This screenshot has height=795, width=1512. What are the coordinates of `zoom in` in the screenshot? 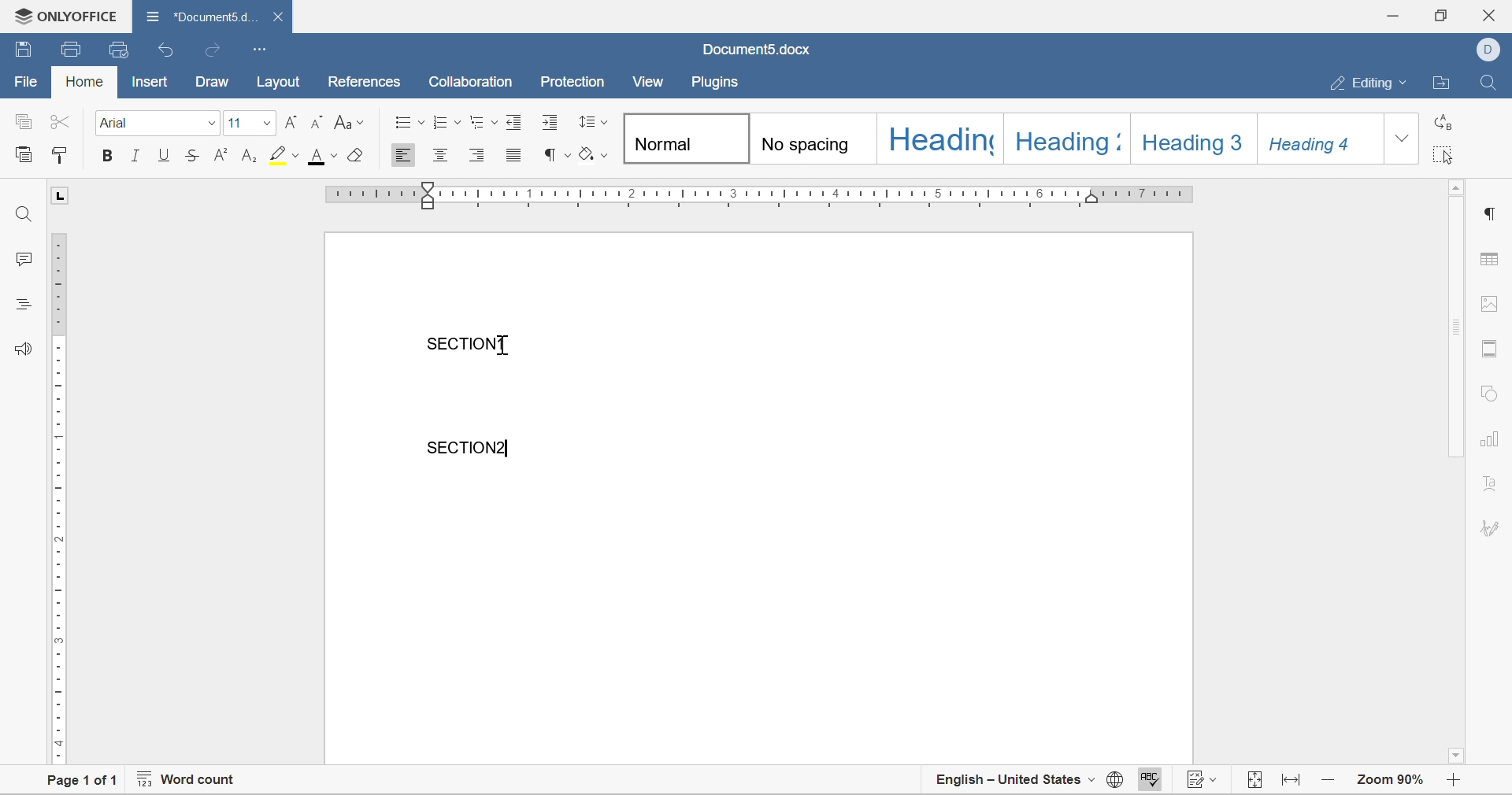 It's located at (1330, 778).